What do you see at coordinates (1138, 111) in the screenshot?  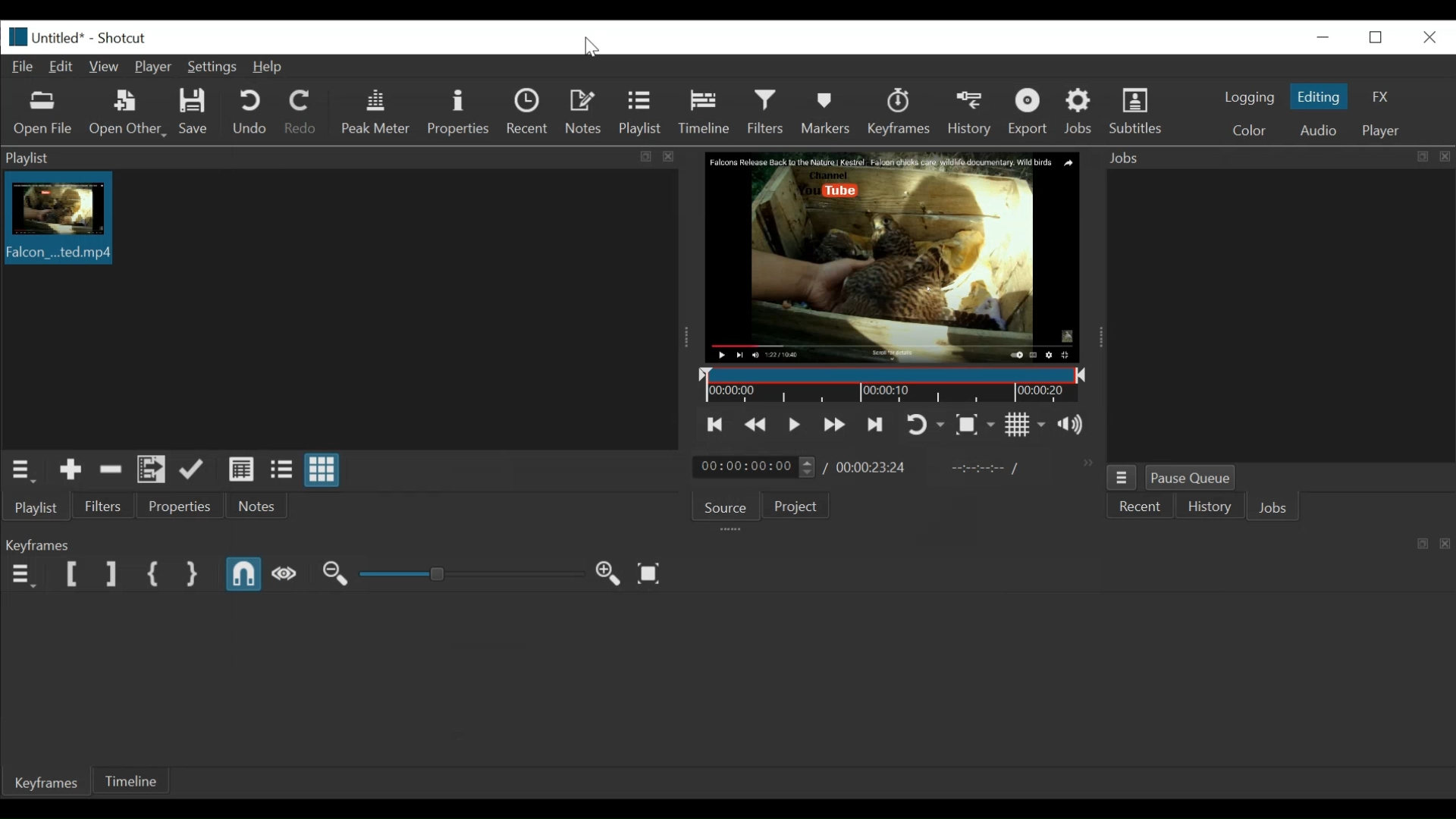 I see `Subtitles` at bounding box center [1138, 111].